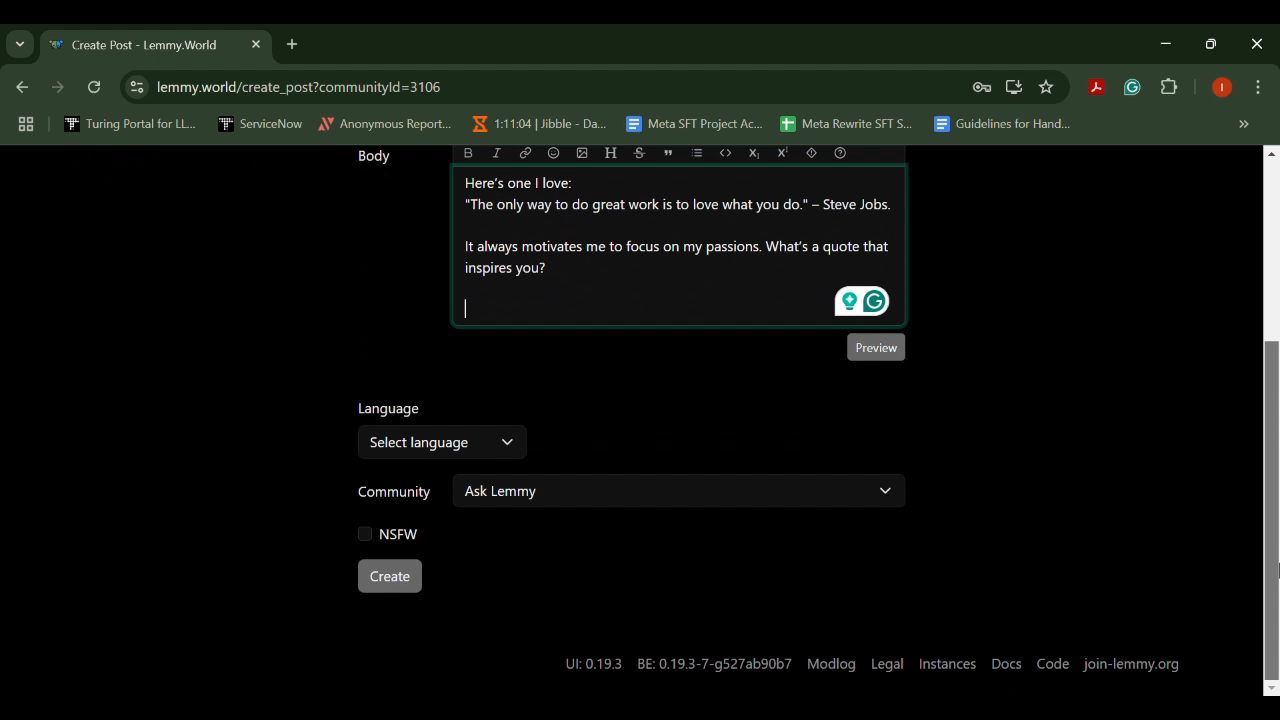 The image size is (1280, 720). Describe the element at coordinates (498, 153) in the screenshot. I see `italic` at that location.